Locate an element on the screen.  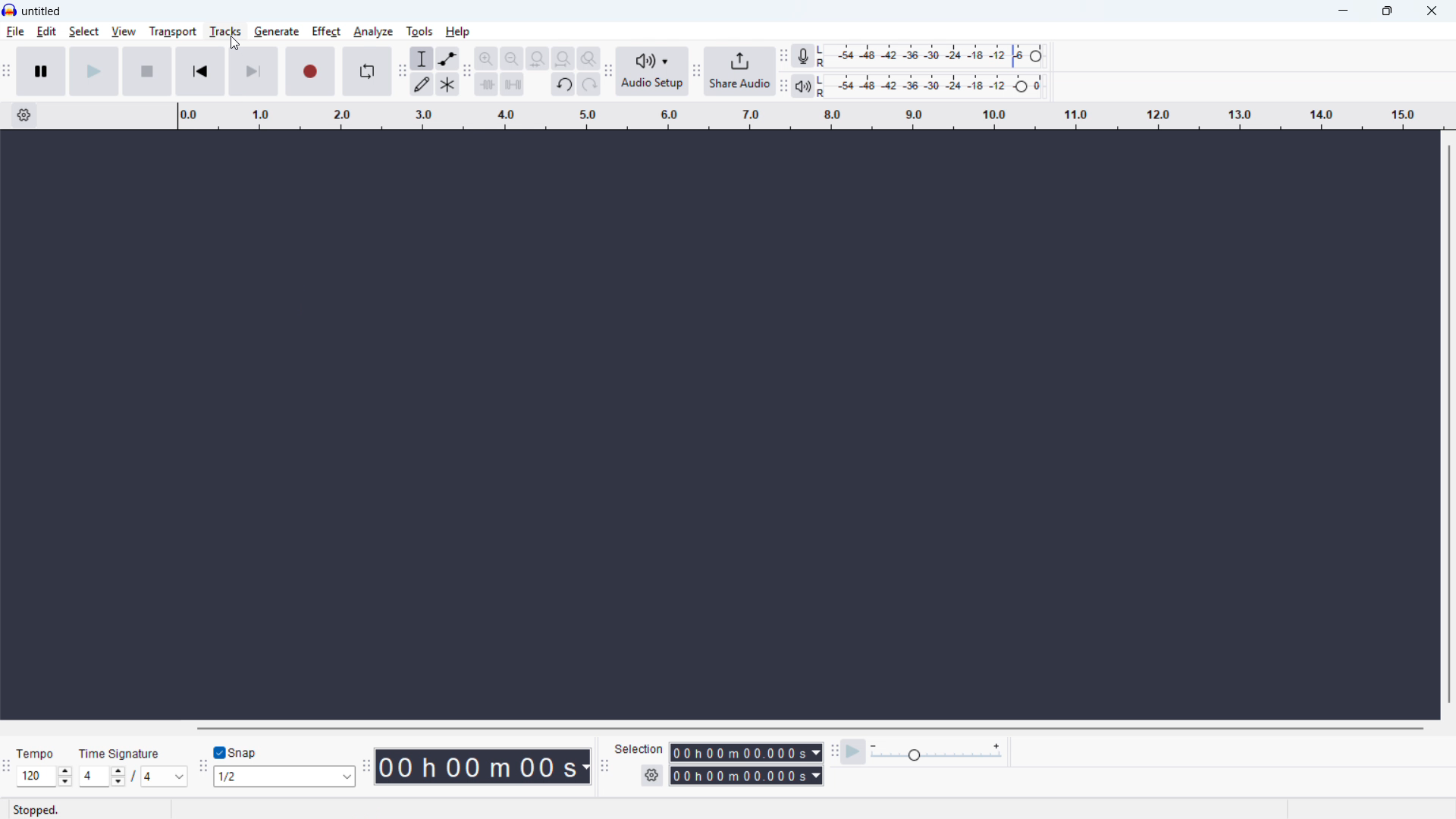
Selection toolbar  is located at coordinates (605, 767).